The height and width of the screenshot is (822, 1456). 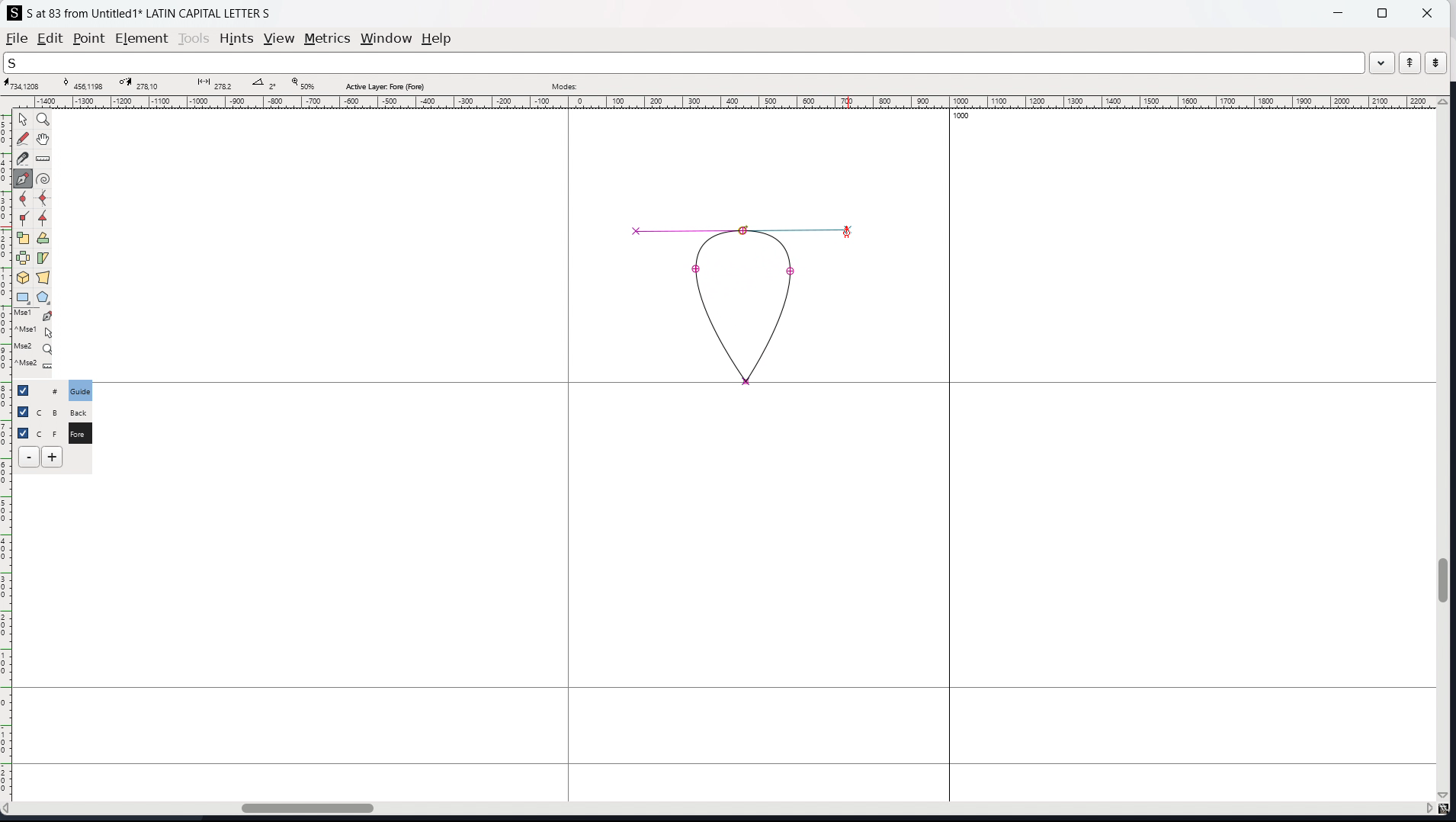 I want to click on modes, so click(x=564, y=85).